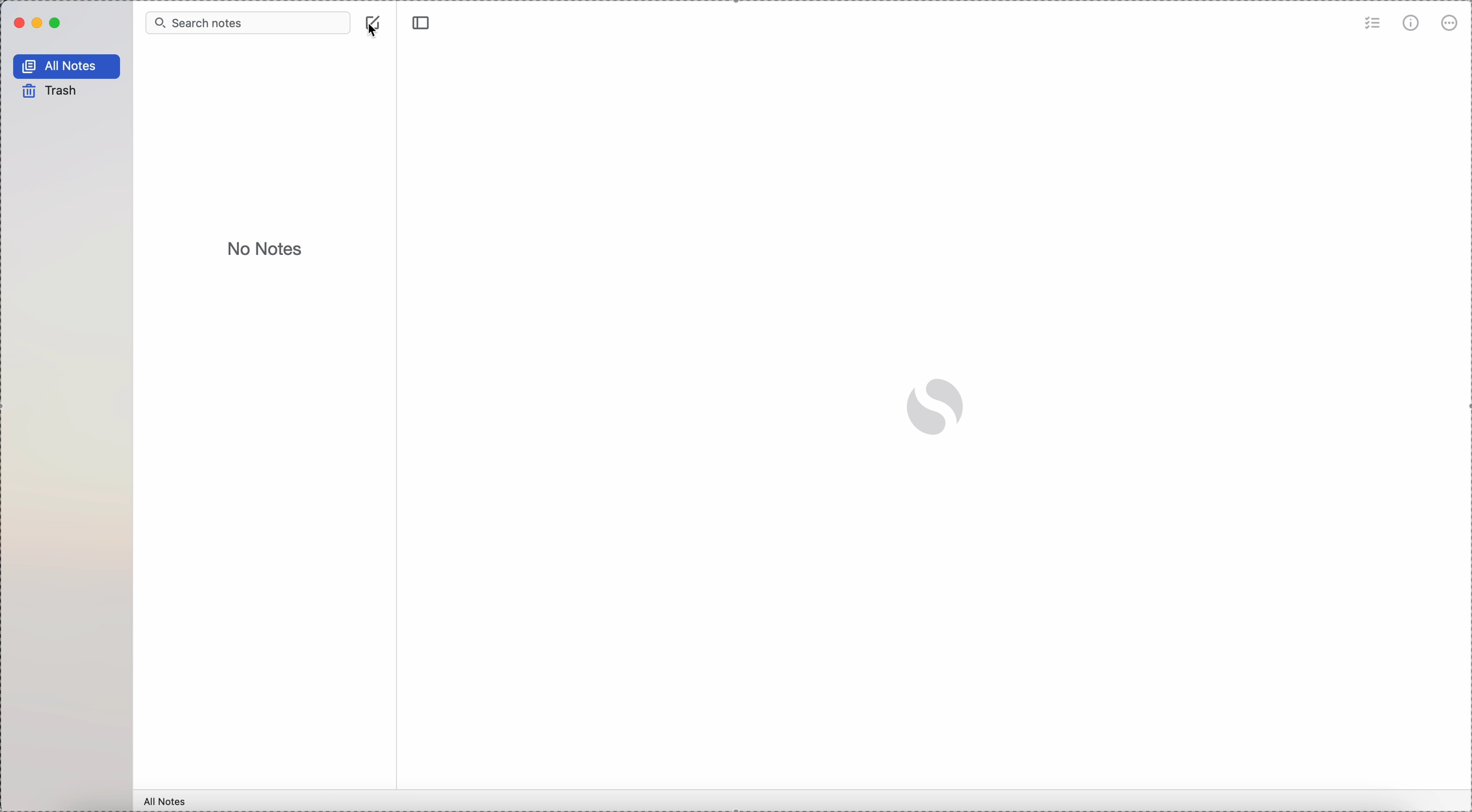 The width and height of the screenshot is (1472, 812). Describe the element at coordinates (56, 23) in the screenshot. I see `maximize Simplenote` at that location.